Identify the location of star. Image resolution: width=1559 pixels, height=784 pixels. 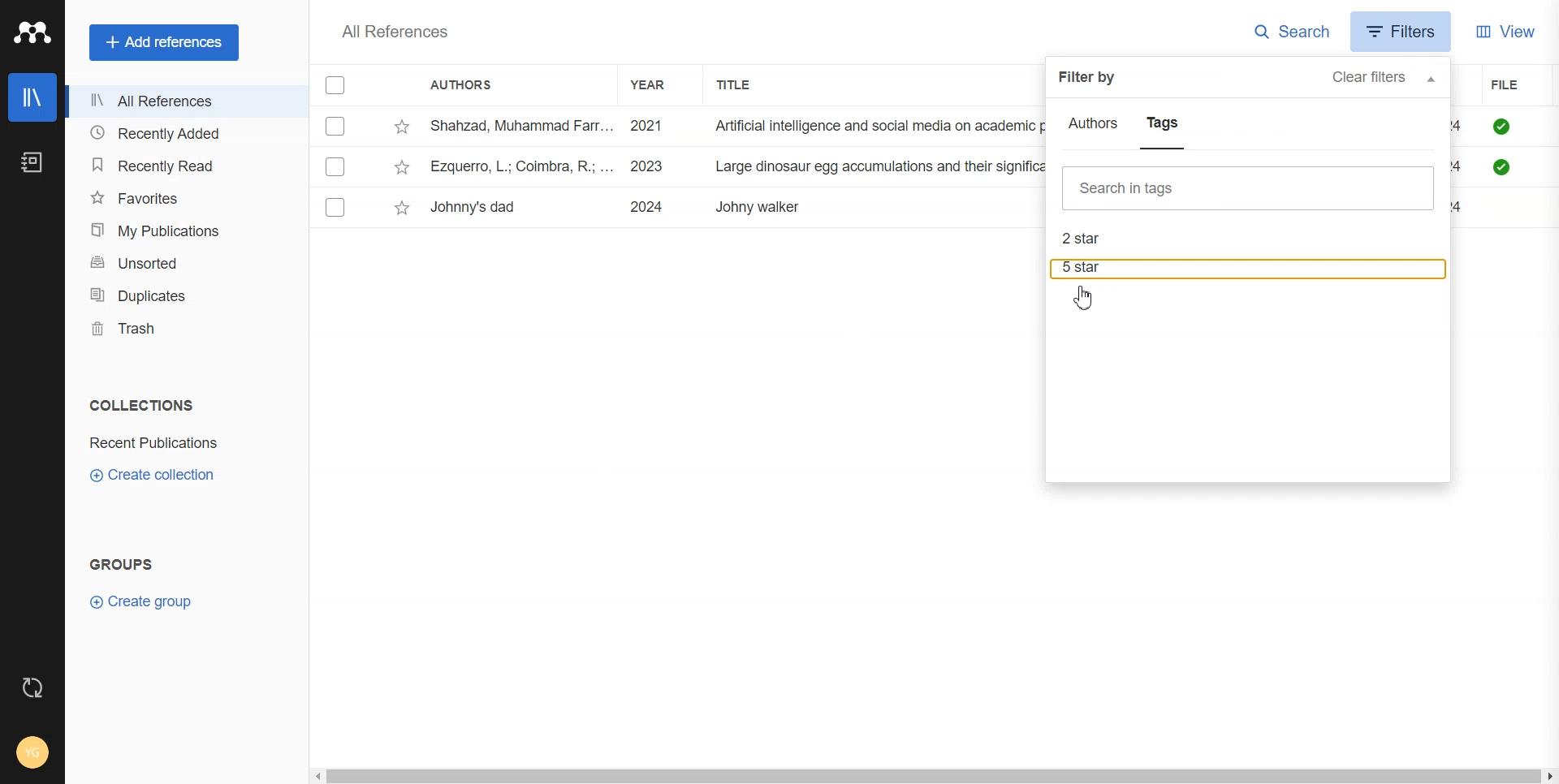
(403, 127).